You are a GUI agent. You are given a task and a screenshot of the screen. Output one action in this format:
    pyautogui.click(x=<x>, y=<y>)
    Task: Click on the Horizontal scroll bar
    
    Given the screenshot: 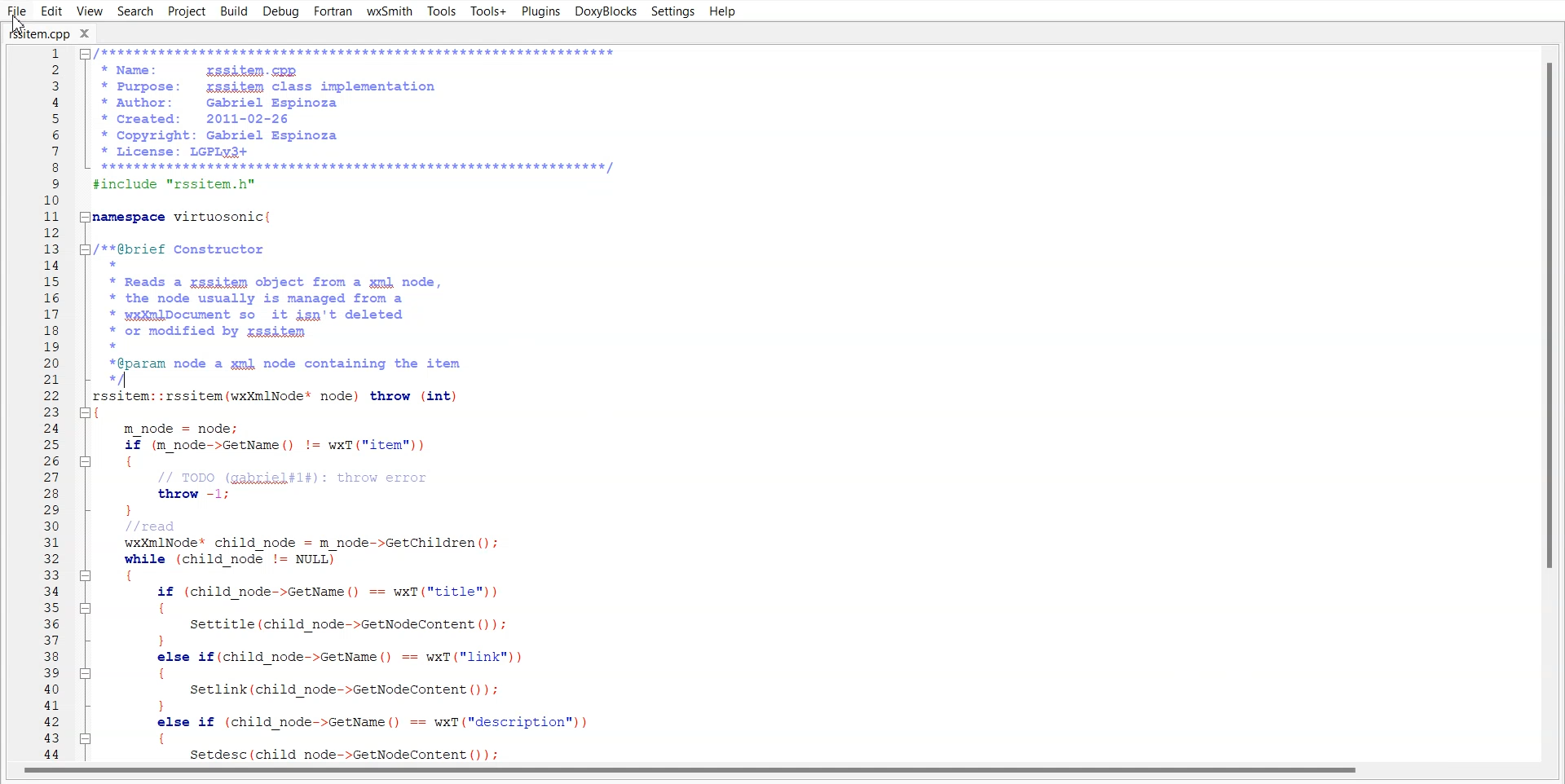 What is the action you would take?
    pyautogui.click(x=782, y=774)
    